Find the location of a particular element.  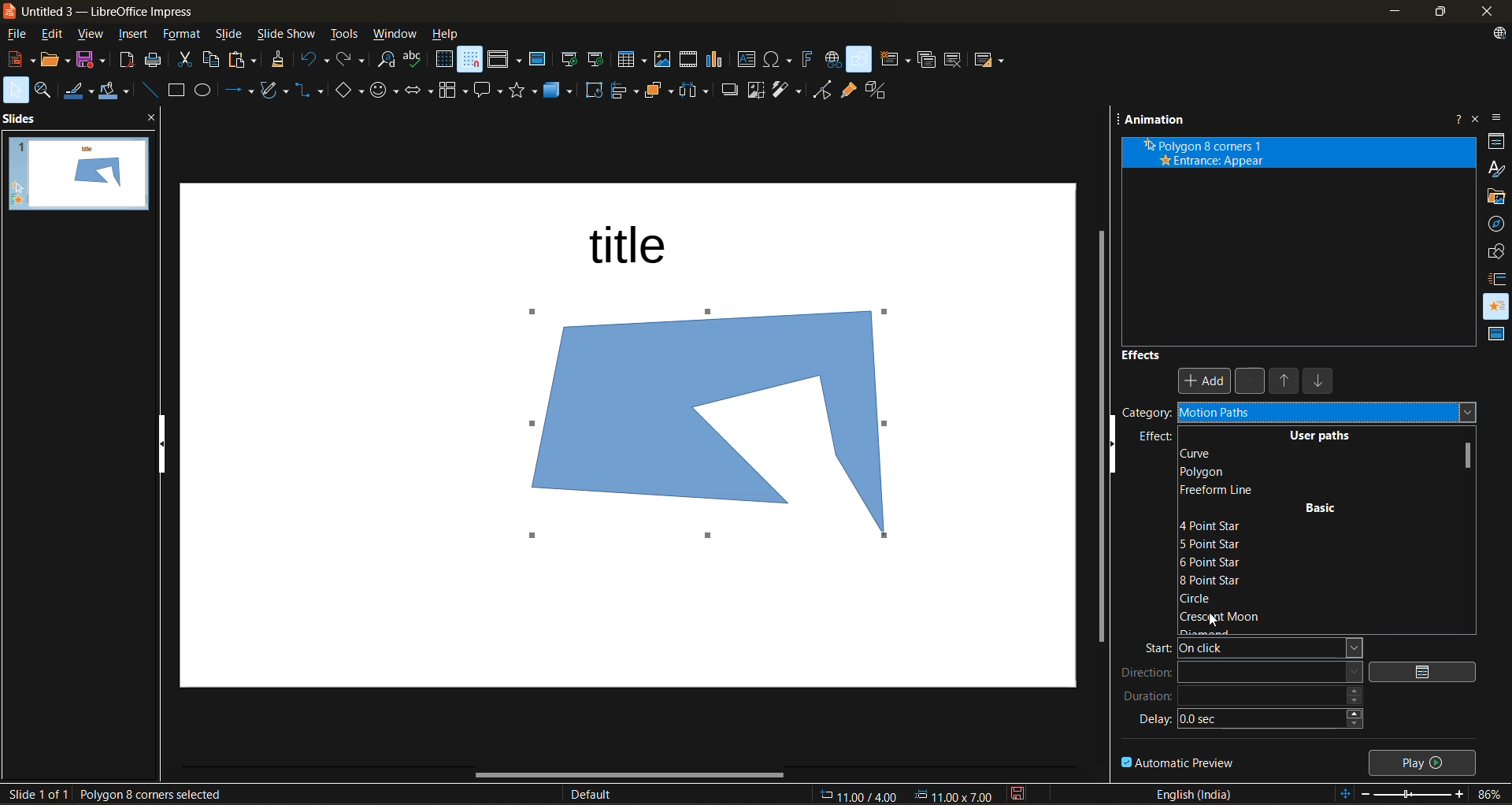

maximize is located at coordinates (1435, 13).